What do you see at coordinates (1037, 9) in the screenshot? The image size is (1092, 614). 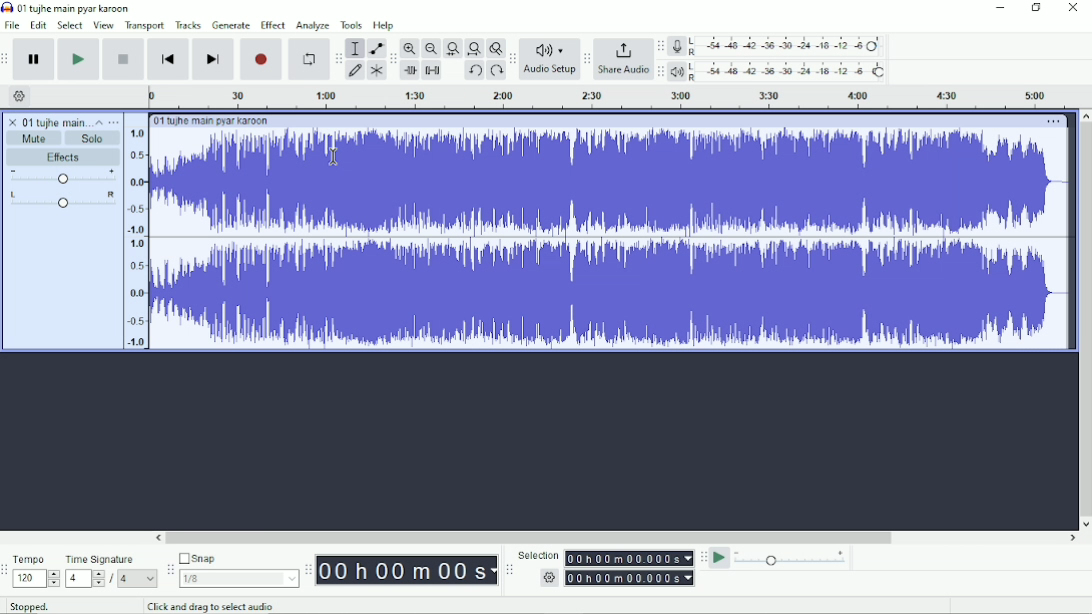 I see `Restore down` at bounding box center [1037, 9].